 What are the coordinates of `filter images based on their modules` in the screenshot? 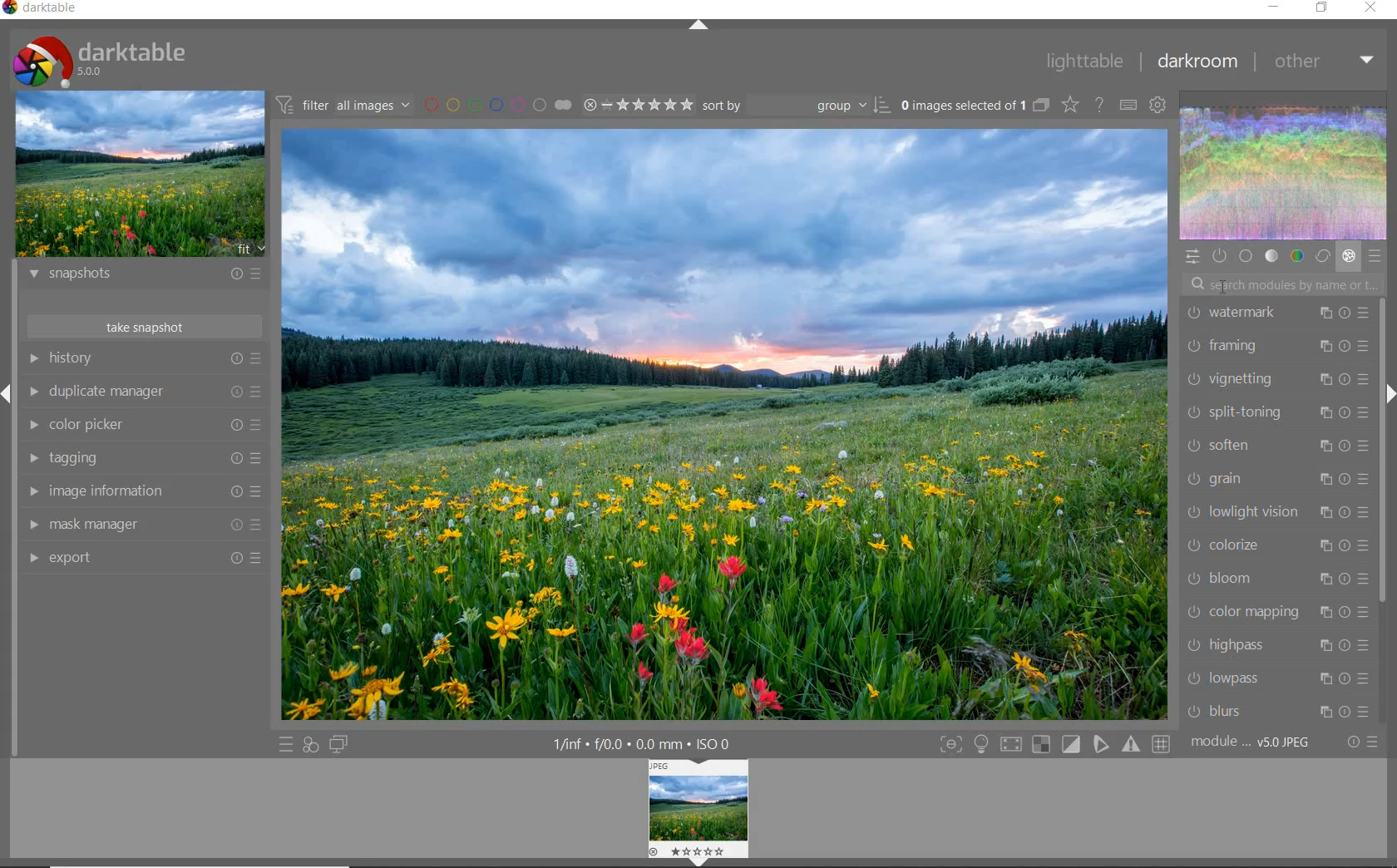 It's located at (345, 104).